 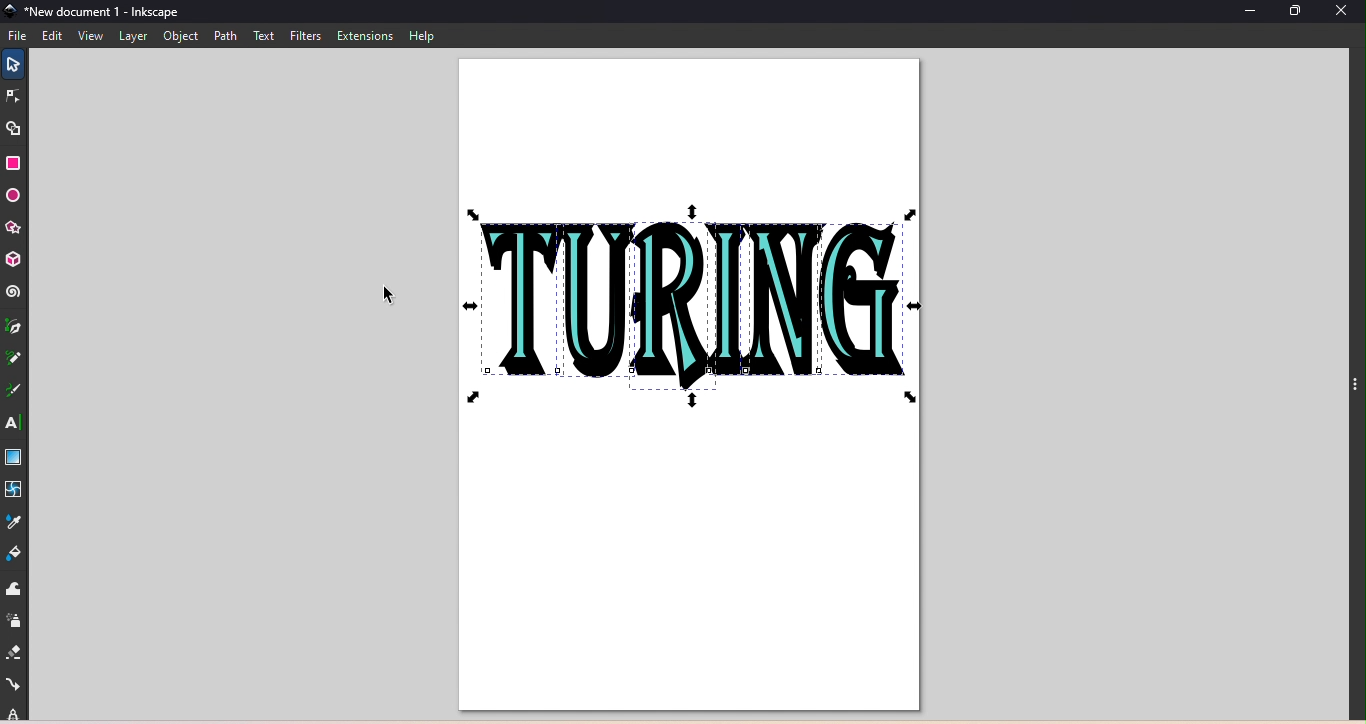 What do you see at coordinates (689, 385) in the screenshot?
I see `Canvas` at bounding box center [689, 385].